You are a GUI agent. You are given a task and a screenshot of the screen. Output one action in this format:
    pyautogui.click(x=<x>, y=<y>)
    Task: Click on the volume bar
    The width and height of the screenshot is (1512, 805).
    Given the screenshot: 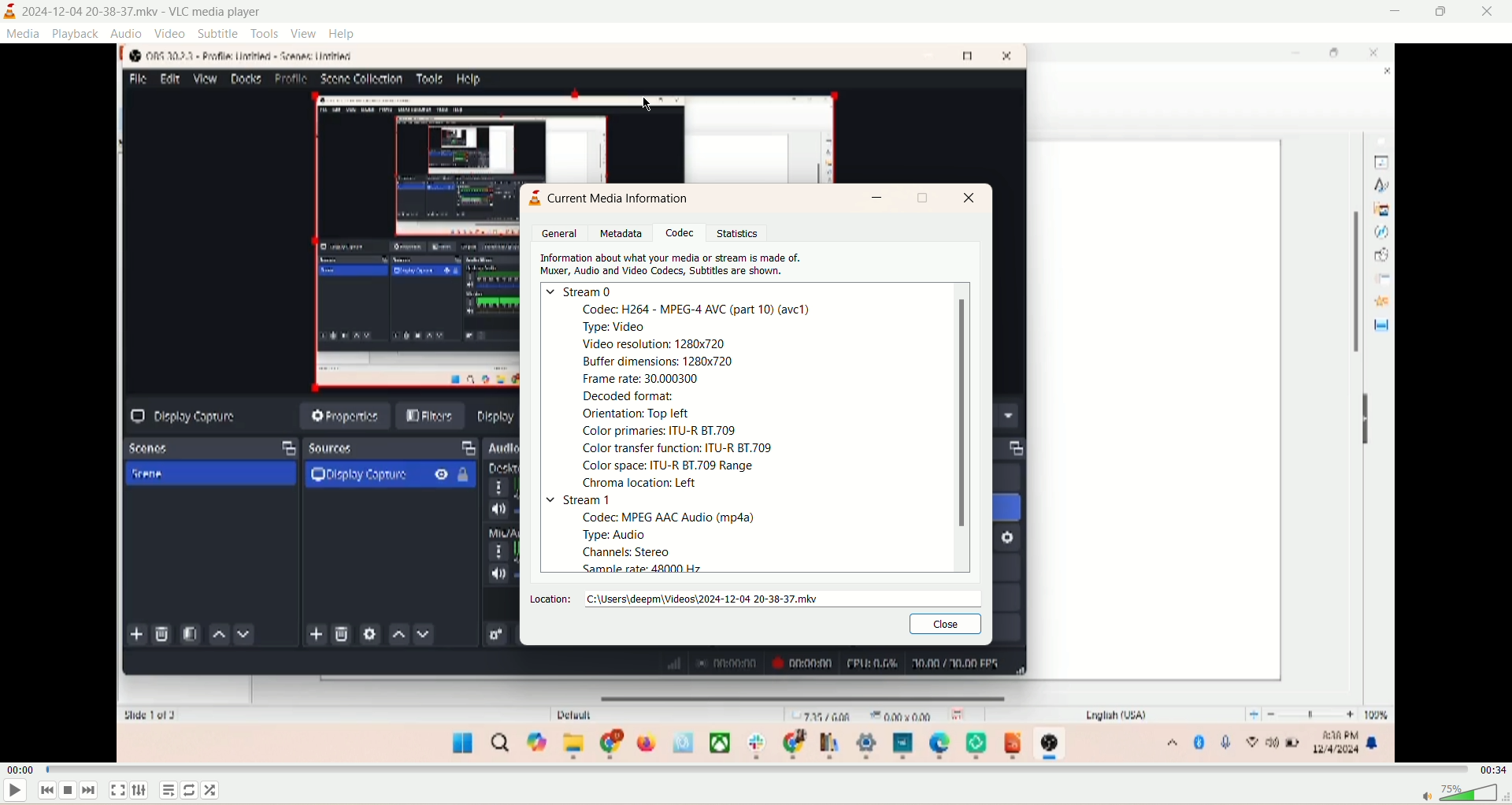 What is the action you would take?
    pyautogui.click(x=1461, y=793)
    